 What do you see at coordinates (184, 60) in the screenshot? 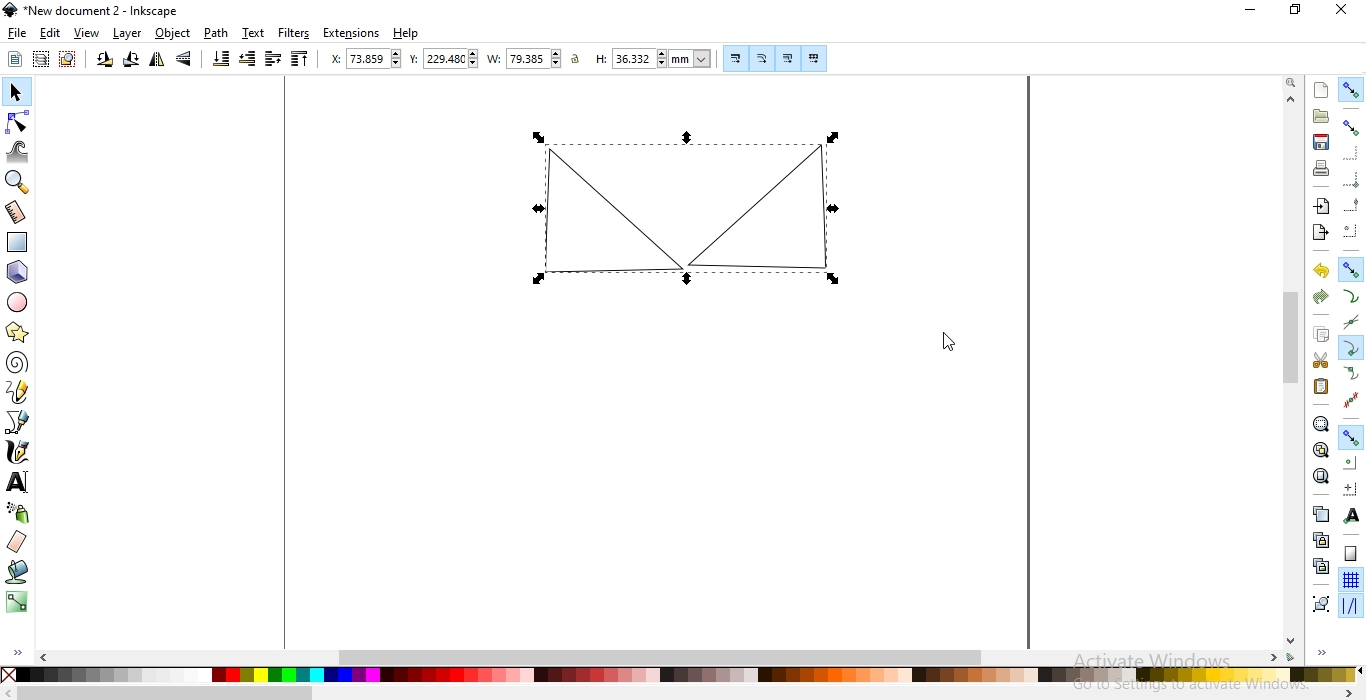
I see `flip vertically` at bounding box center [184, 60].